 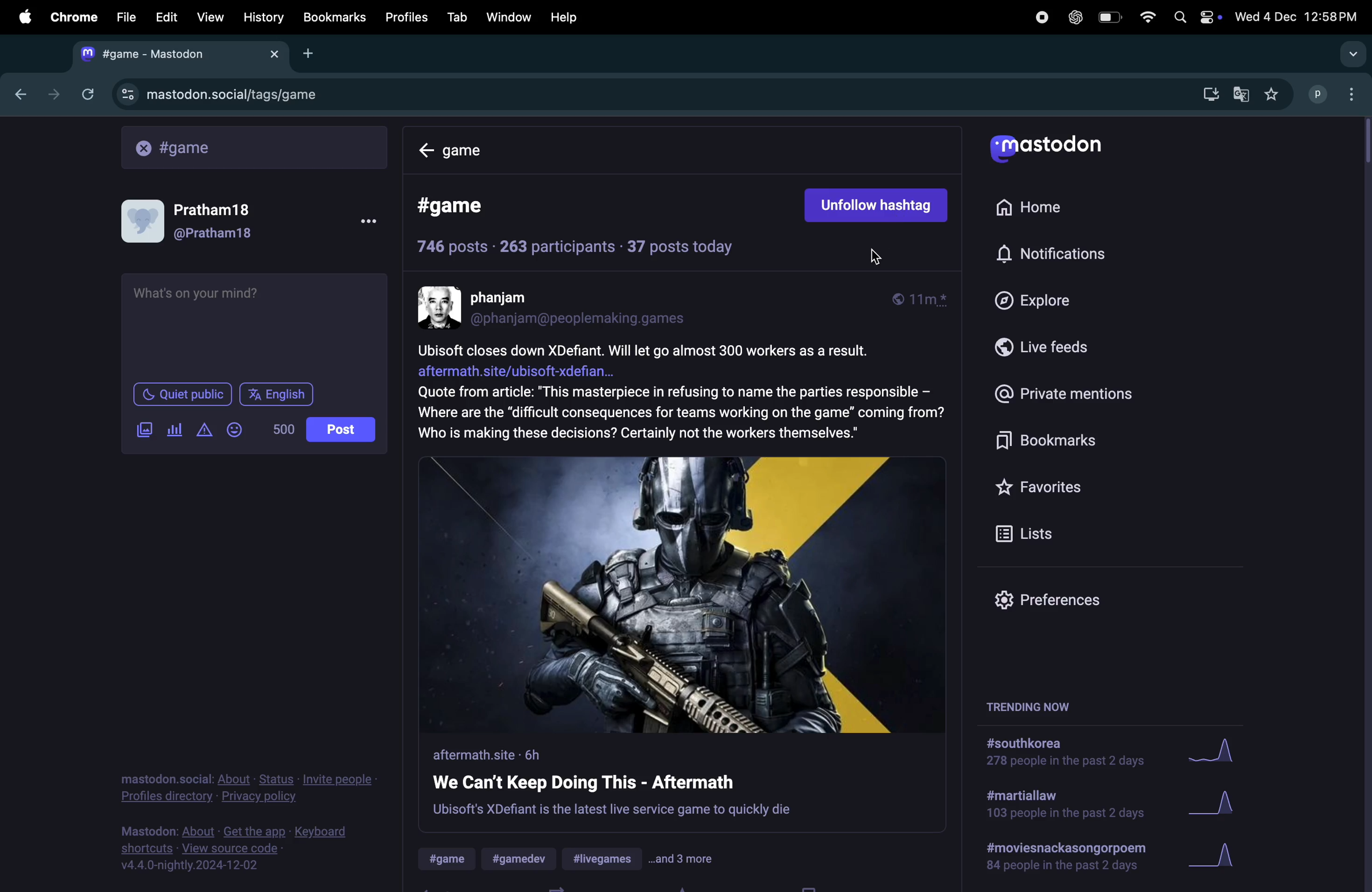 What do you see at coordinates (363, 222) in the screenshot?
I see `options` at bounding box center [363, 222].